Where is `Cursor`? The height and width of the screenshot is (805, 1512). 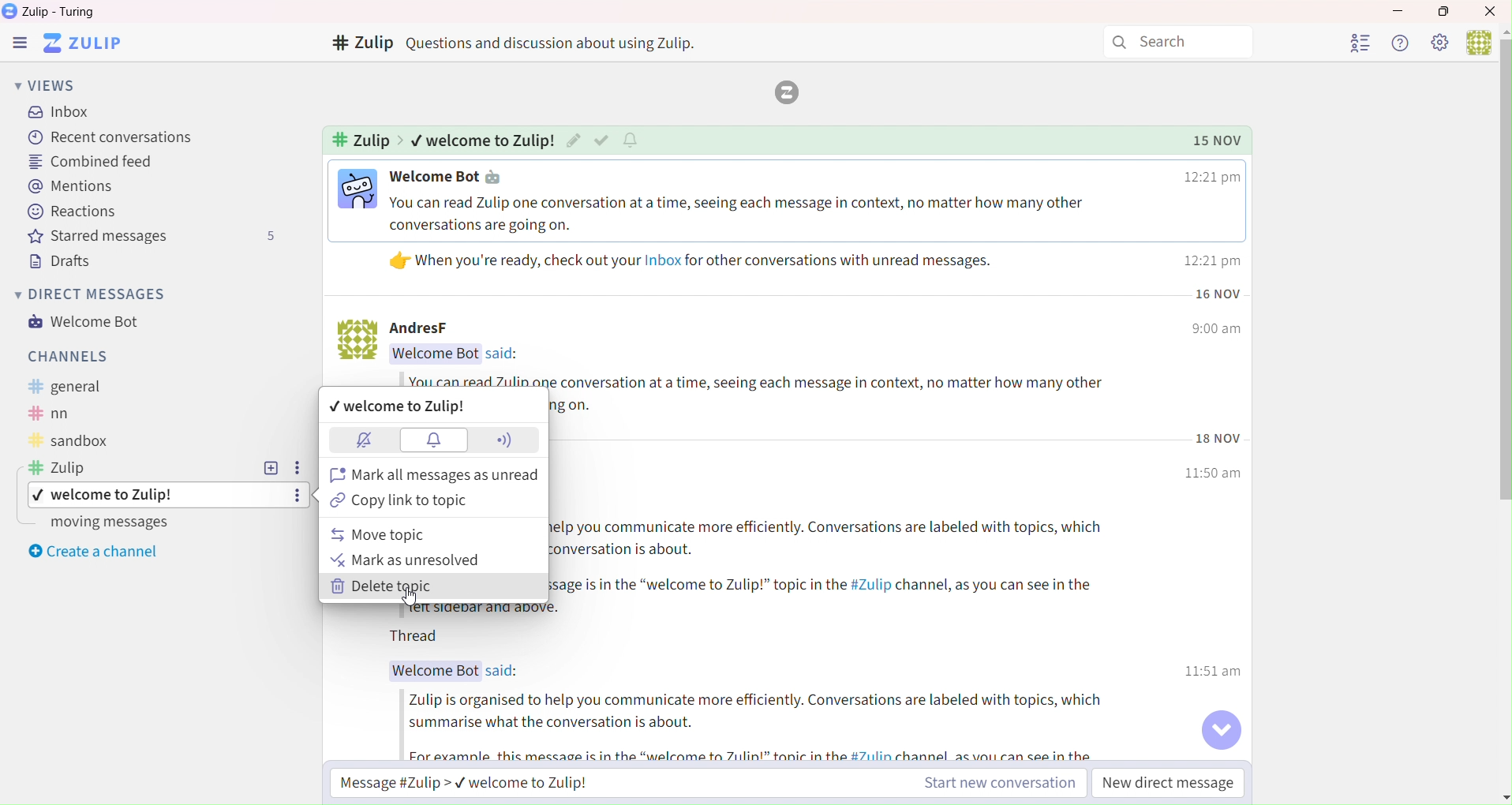
Cursor is located at coordinates (409, 597).